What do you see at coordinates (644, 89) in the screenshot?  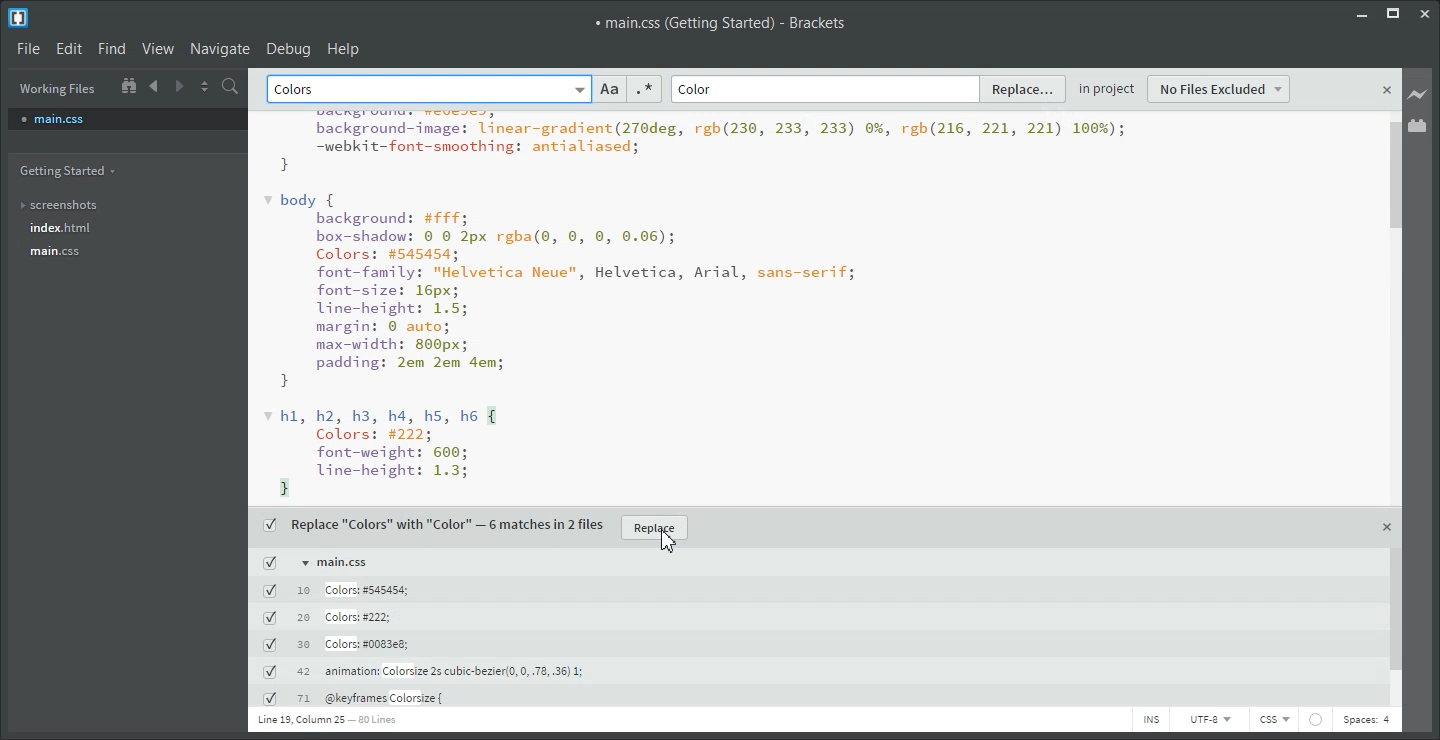 I see `Regular Expression` at bounding box center [644, 89].